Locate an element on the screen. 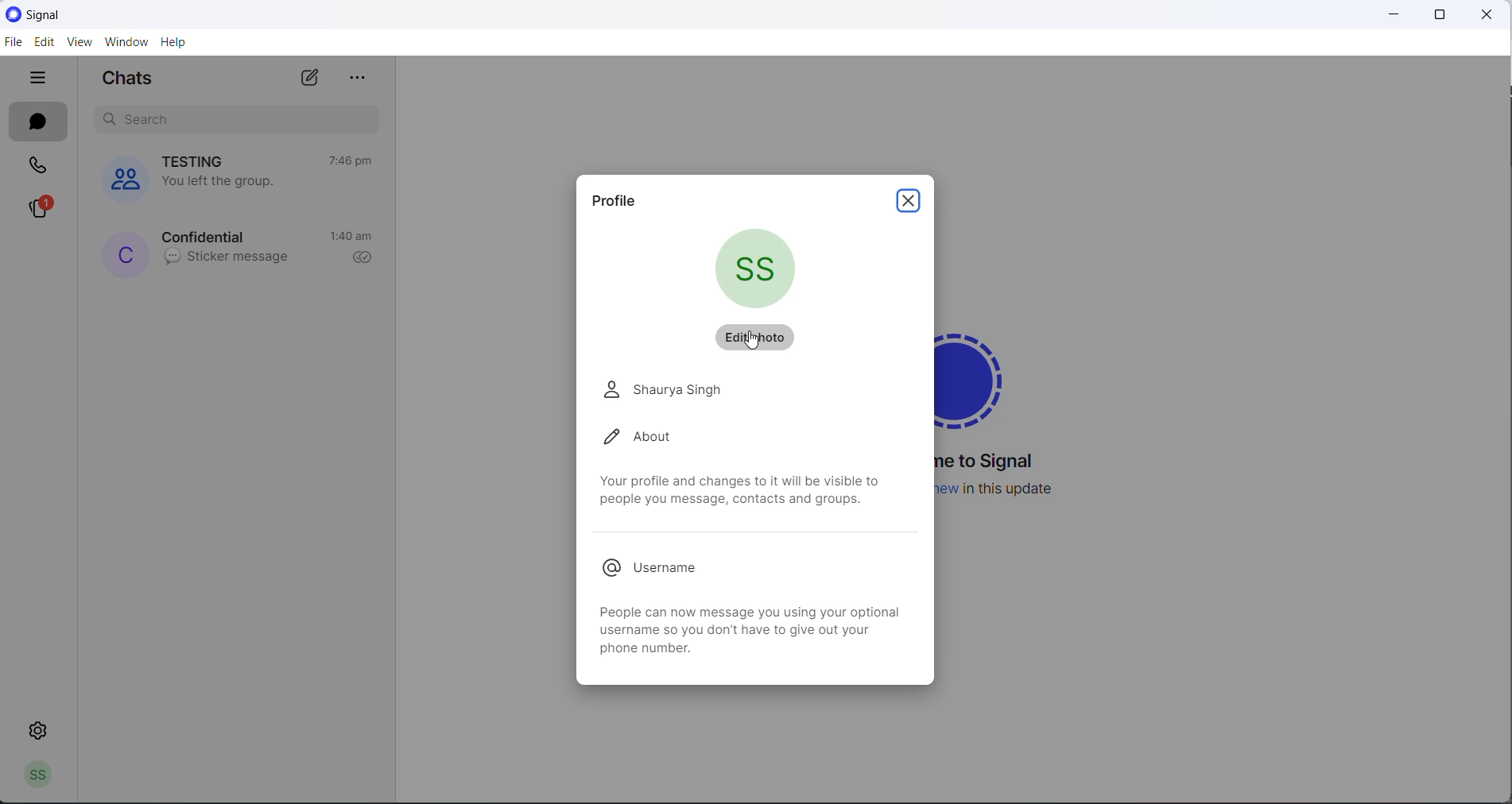  group cover photos is located at coordinates (117, 177).